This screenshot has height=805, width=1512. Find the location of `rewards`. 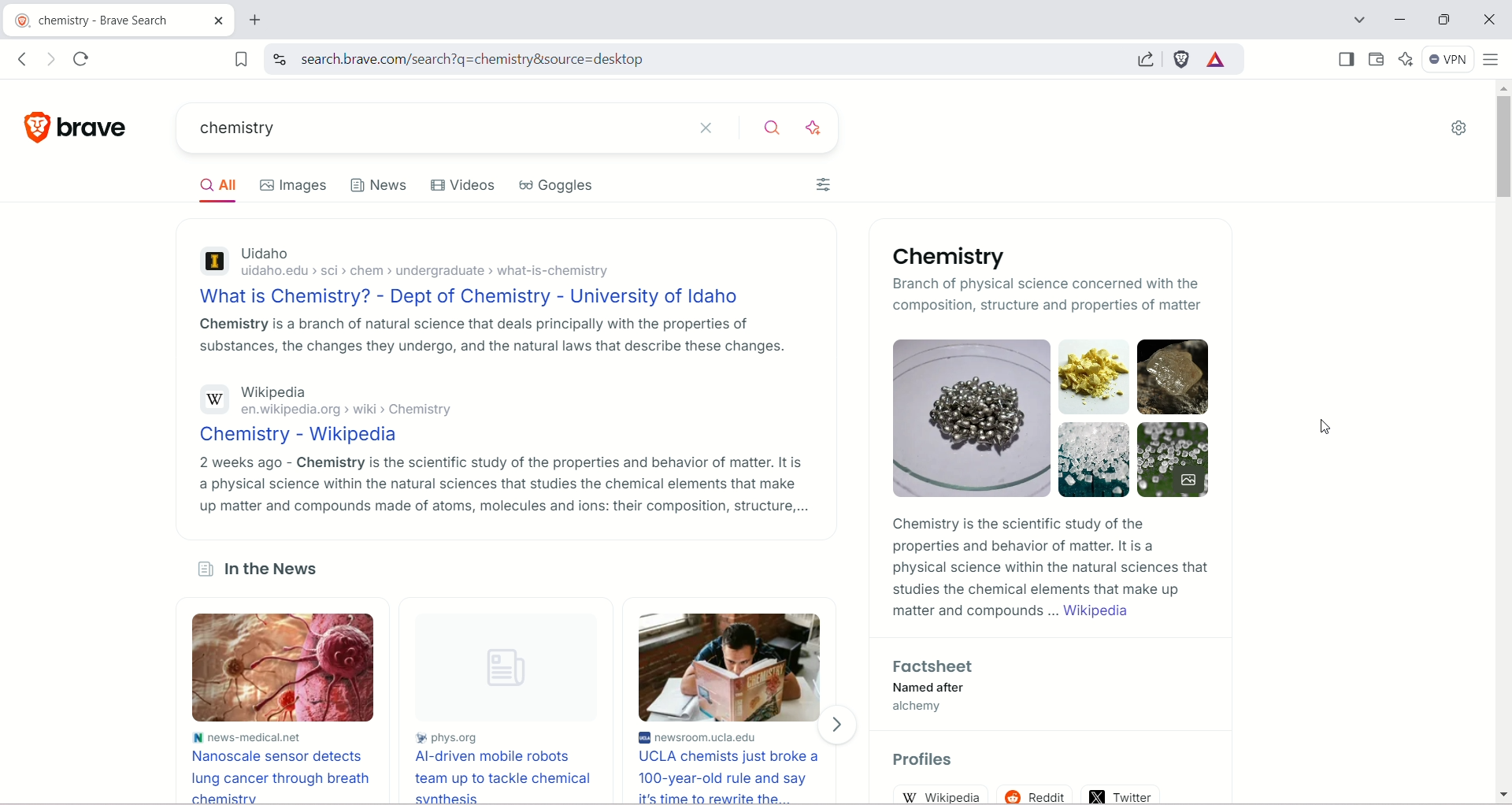

rewards is located at coordinates (1216, 61).